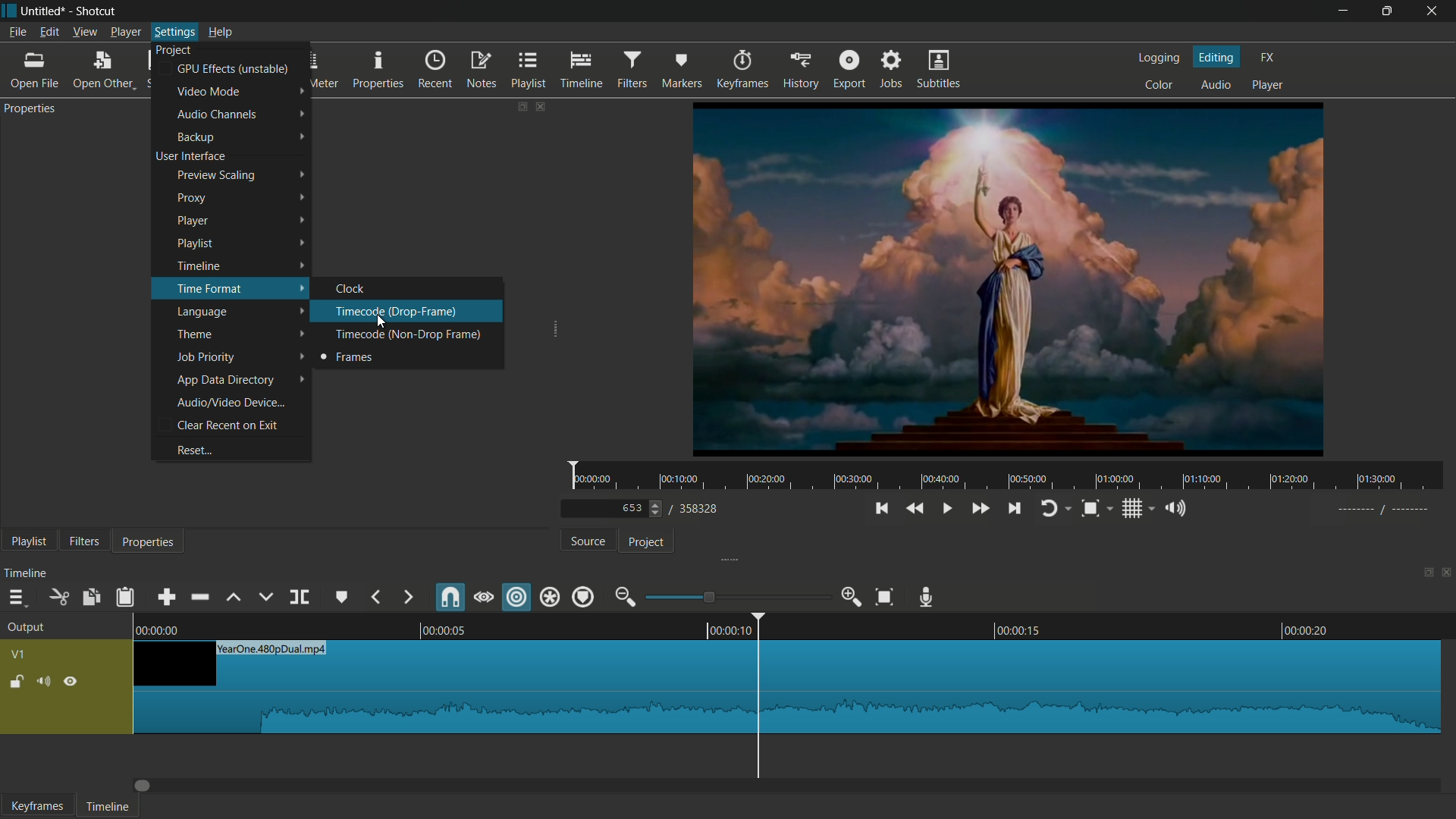  What do you see at coordinates (26, 574) in the screenshot?
I see `timeline` at bounding box center [26, 574].